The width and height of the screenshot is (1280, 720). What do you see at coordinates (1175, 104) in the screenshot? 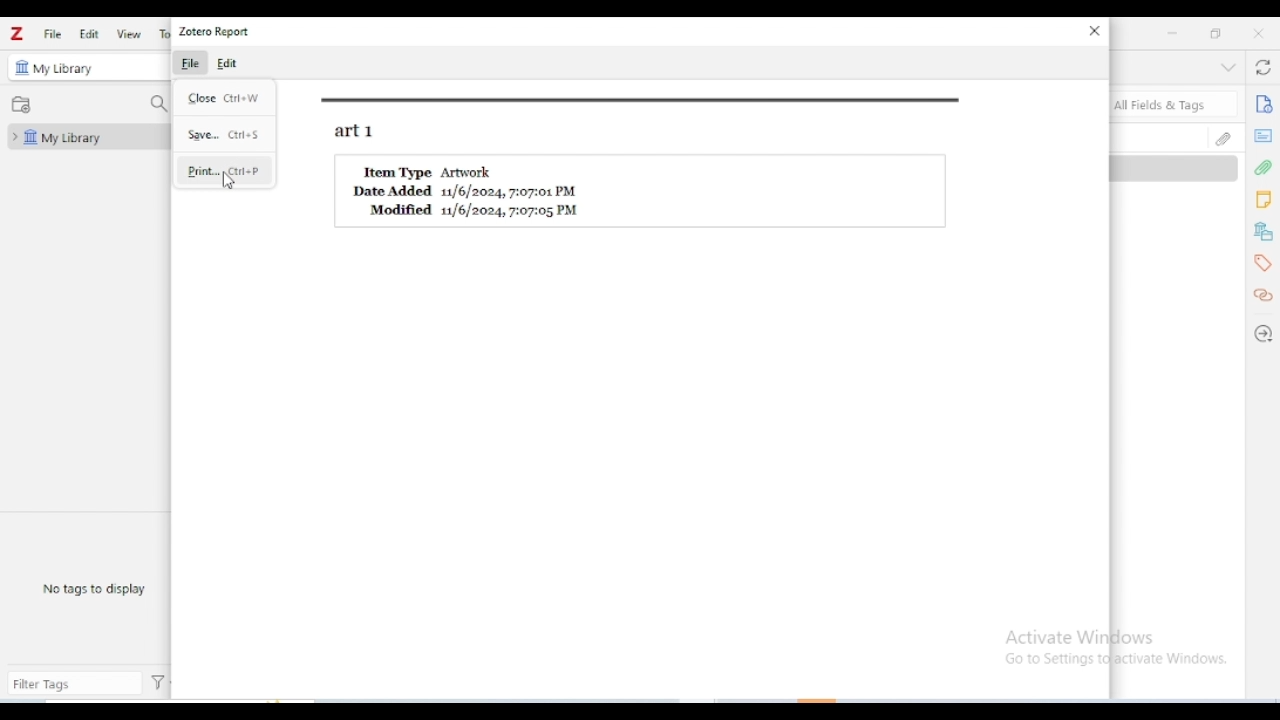
I see `search all fields & tags` at bounding box center [1175, 104].